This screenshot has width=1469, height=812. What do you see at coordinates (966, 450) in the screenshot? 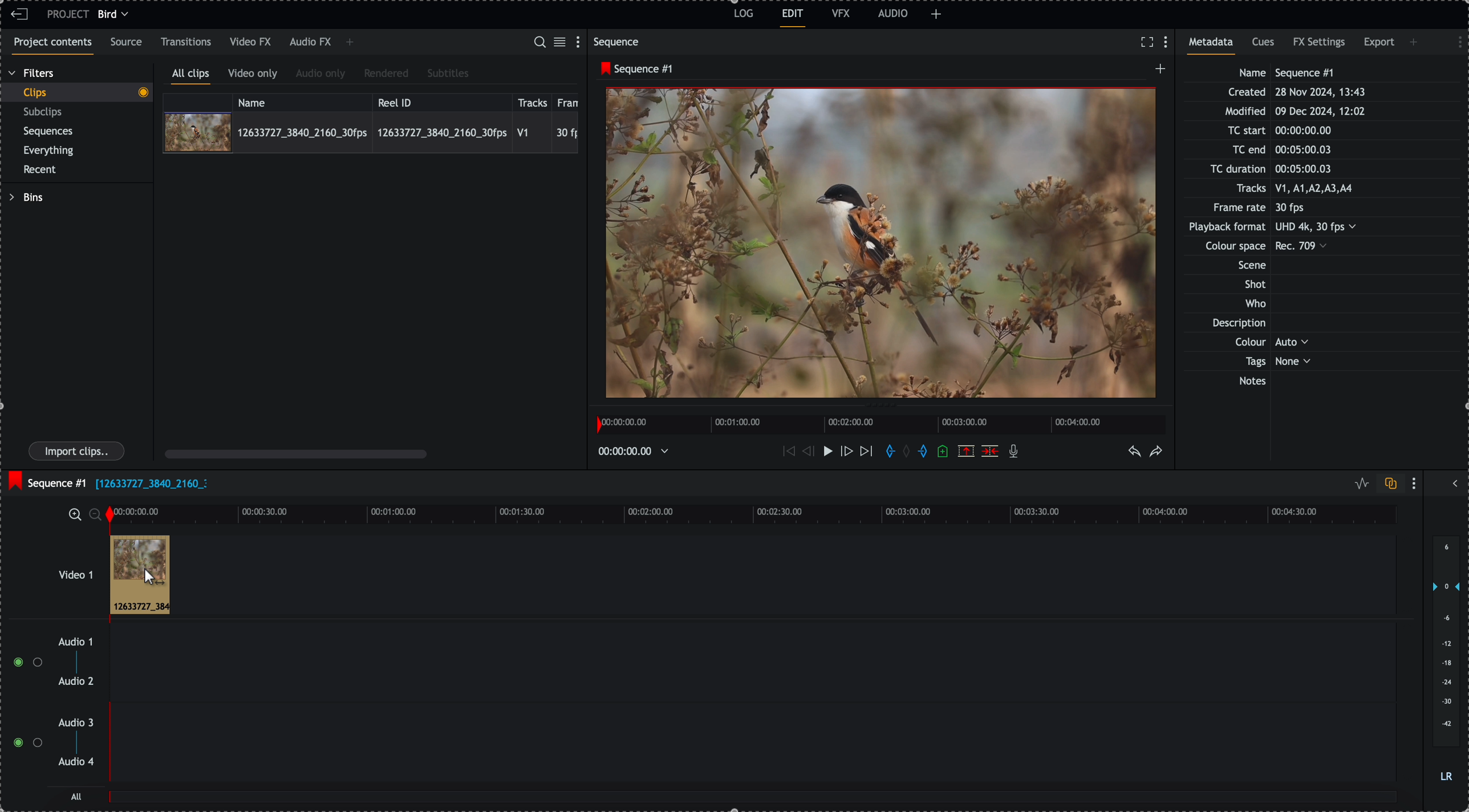
I see `remove the marked section` at bounding box center [966, 450].